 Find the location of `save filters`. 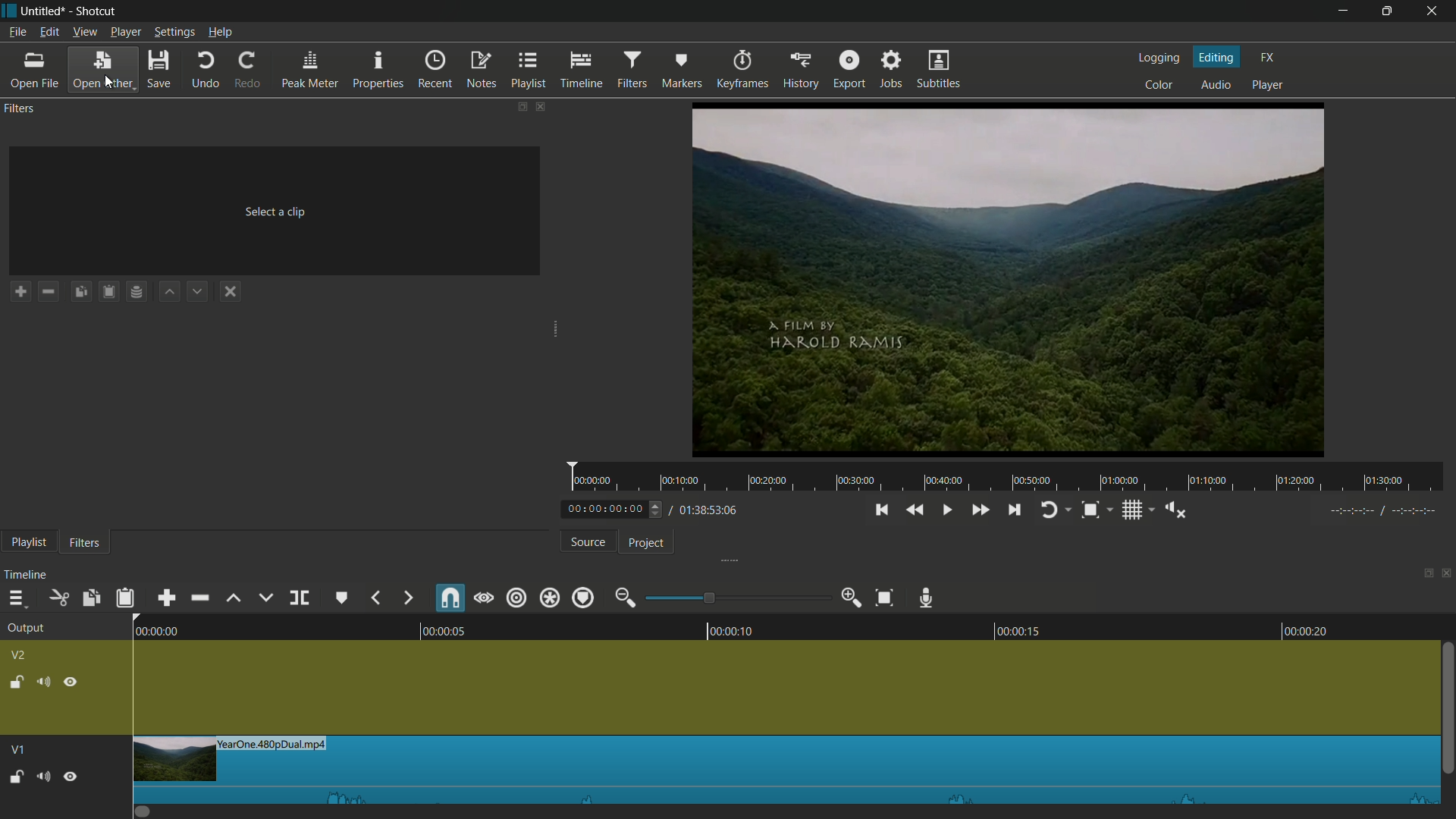

save filters is located at coordinates (110, 292).